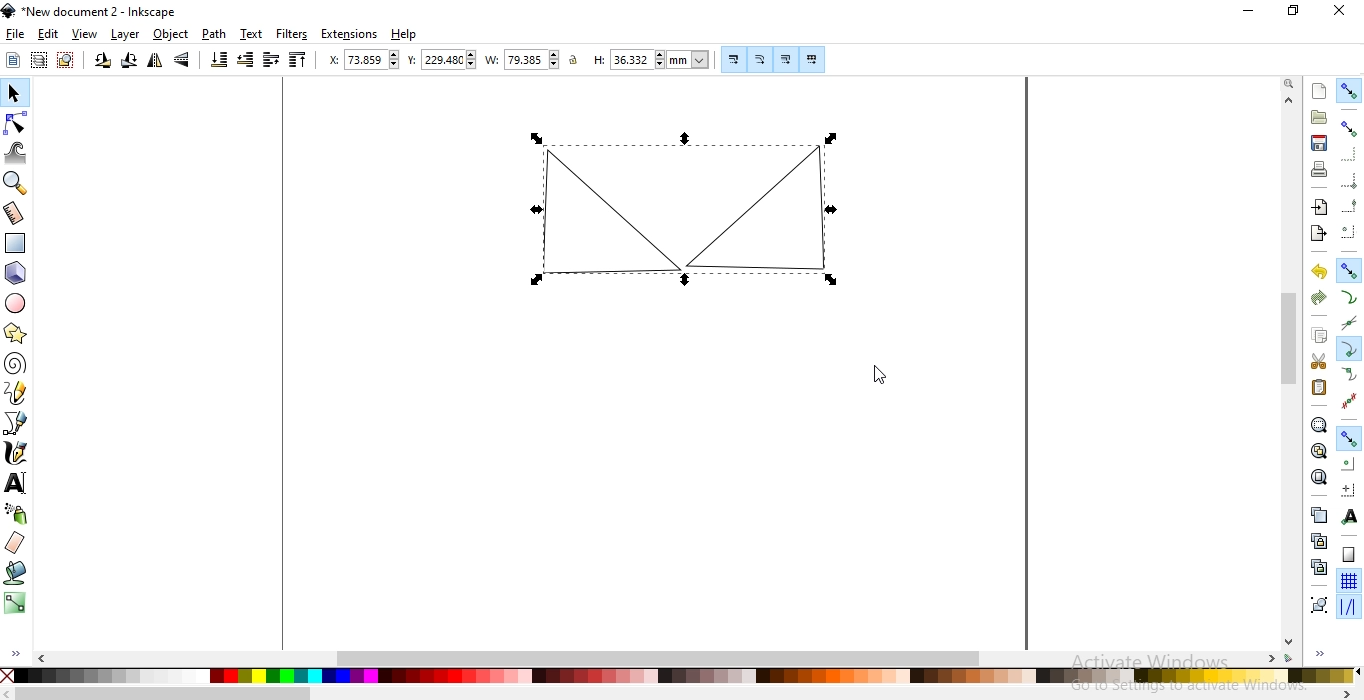 The height and width of the screenshot is (700, 1364). What do you see at coordinates (49, 34) in the screenshot?
I see `edit` at bounding box center [49, 34].